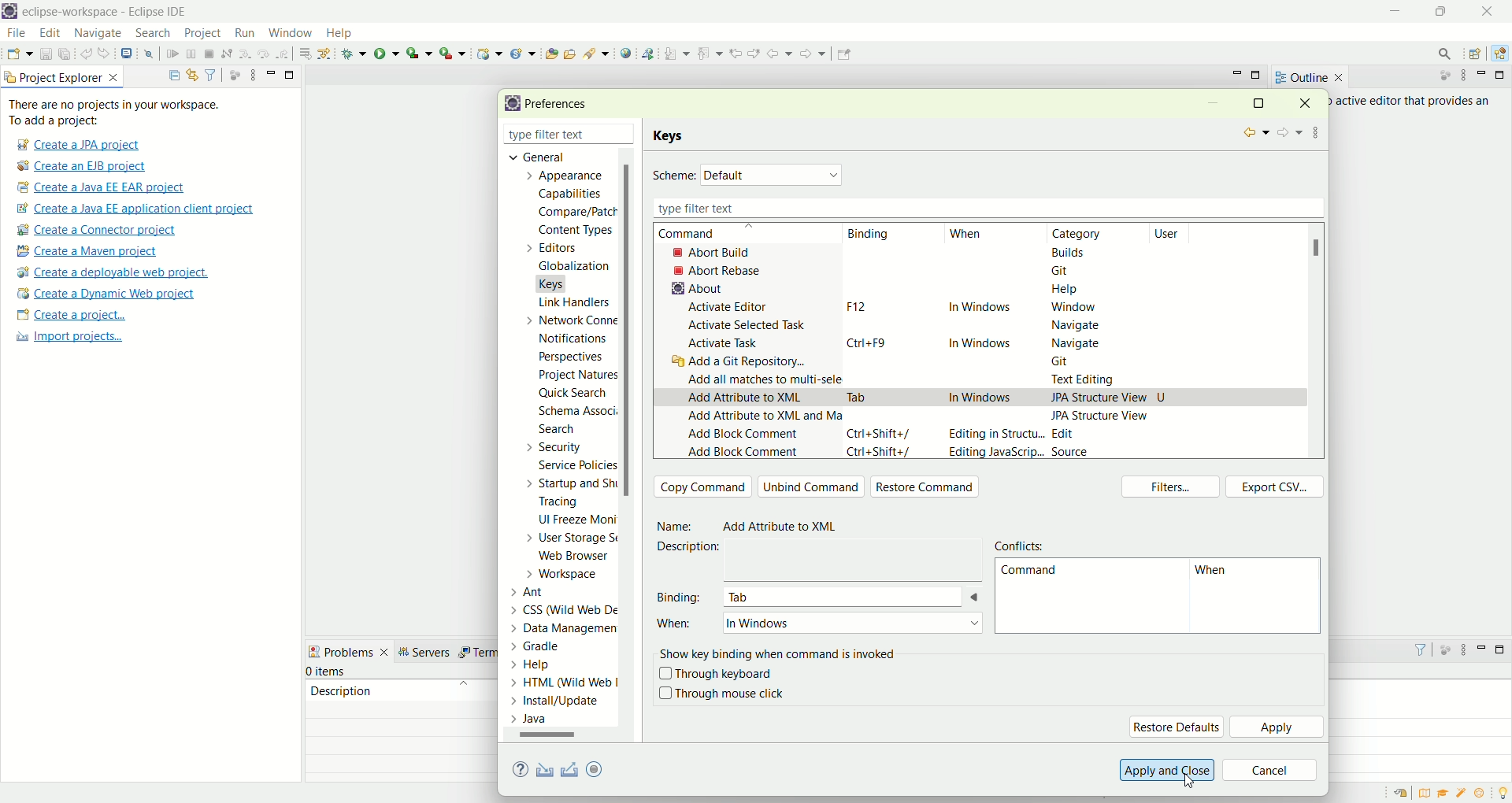 The height and width of the screenshot is (803, 1512). What do you see at coordinates (289, 29) in the screenshot?
I see `window` at bounding box center [289, 29].